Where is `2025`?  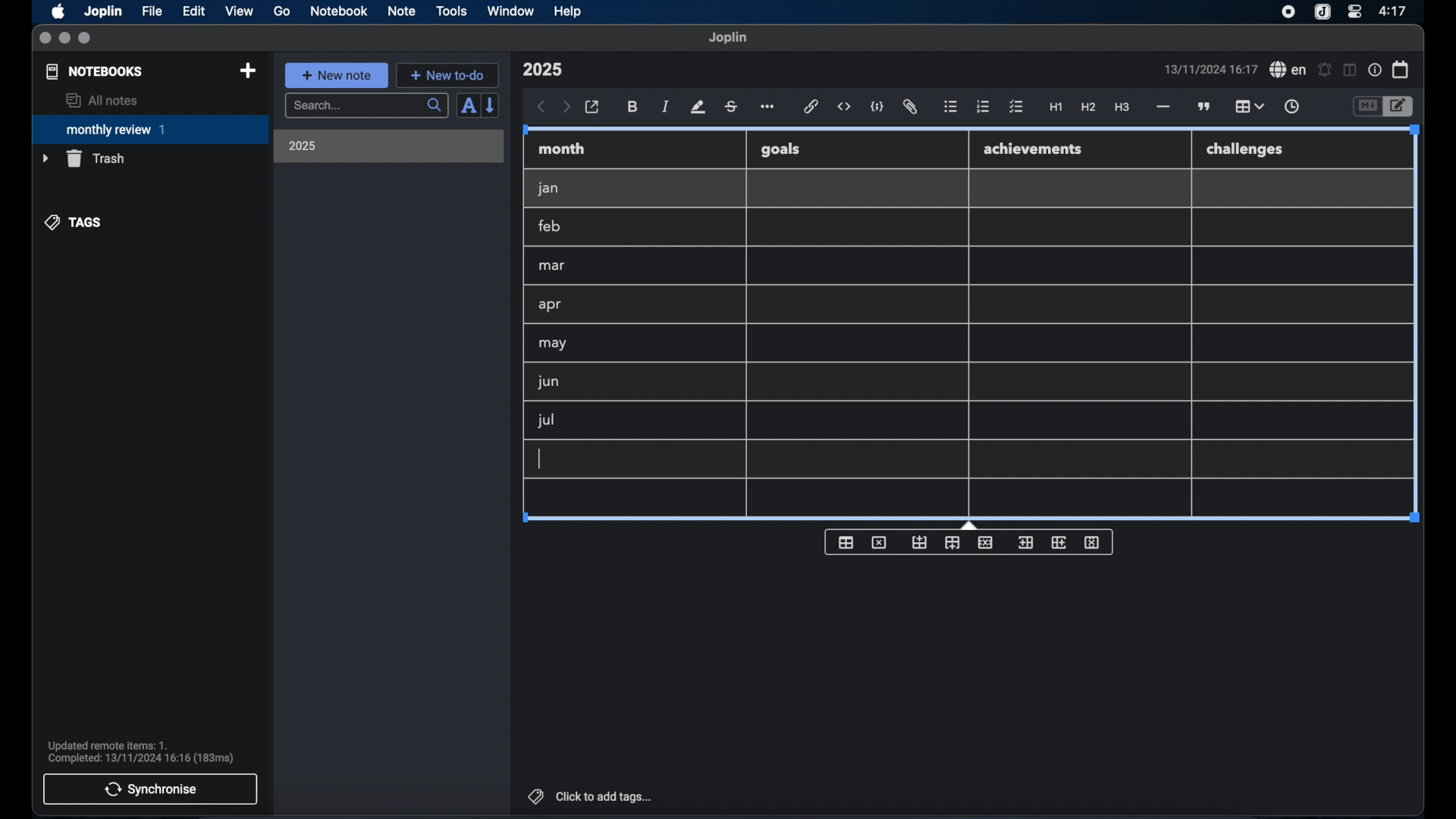 2025 is located at coordinates (303, 146).